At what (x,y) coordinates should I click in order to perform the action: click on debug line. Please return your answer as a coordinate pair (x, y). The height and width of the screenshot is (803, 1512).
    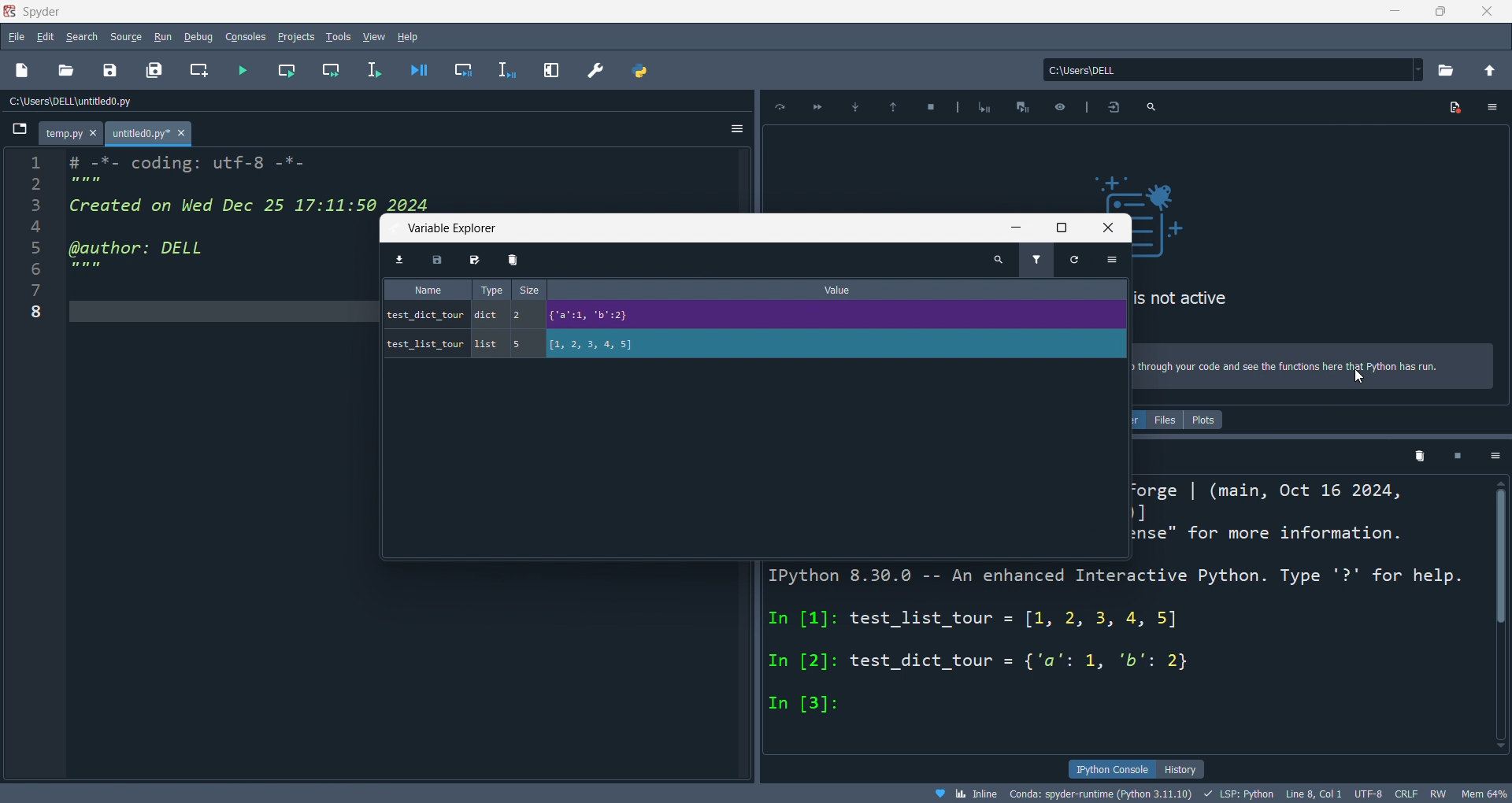
    Looking at the image, I should click on (507, 69).